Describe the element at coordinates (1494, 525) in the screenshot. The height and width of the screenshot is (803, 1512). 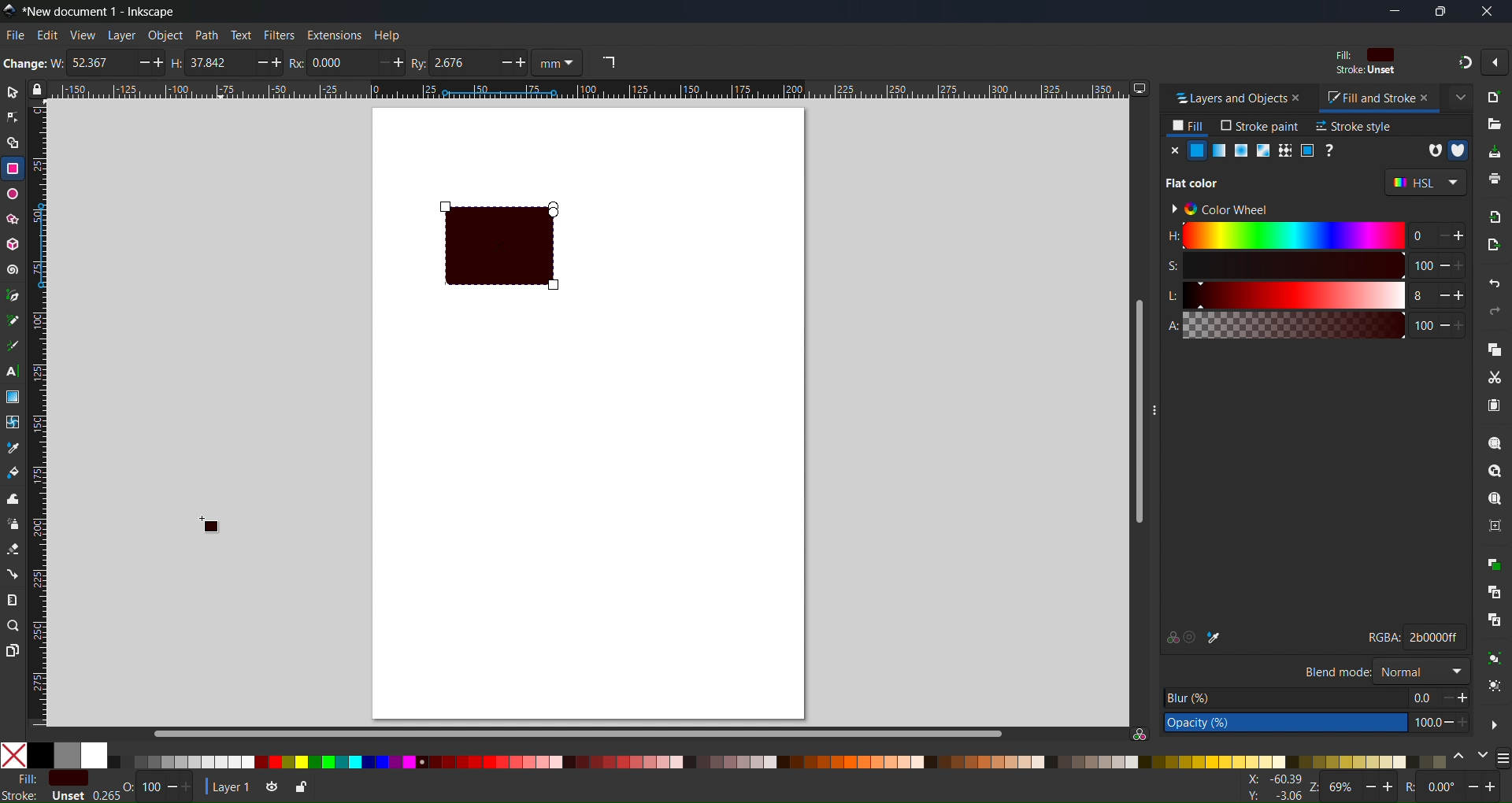
I see `Zoom center page` at that location.